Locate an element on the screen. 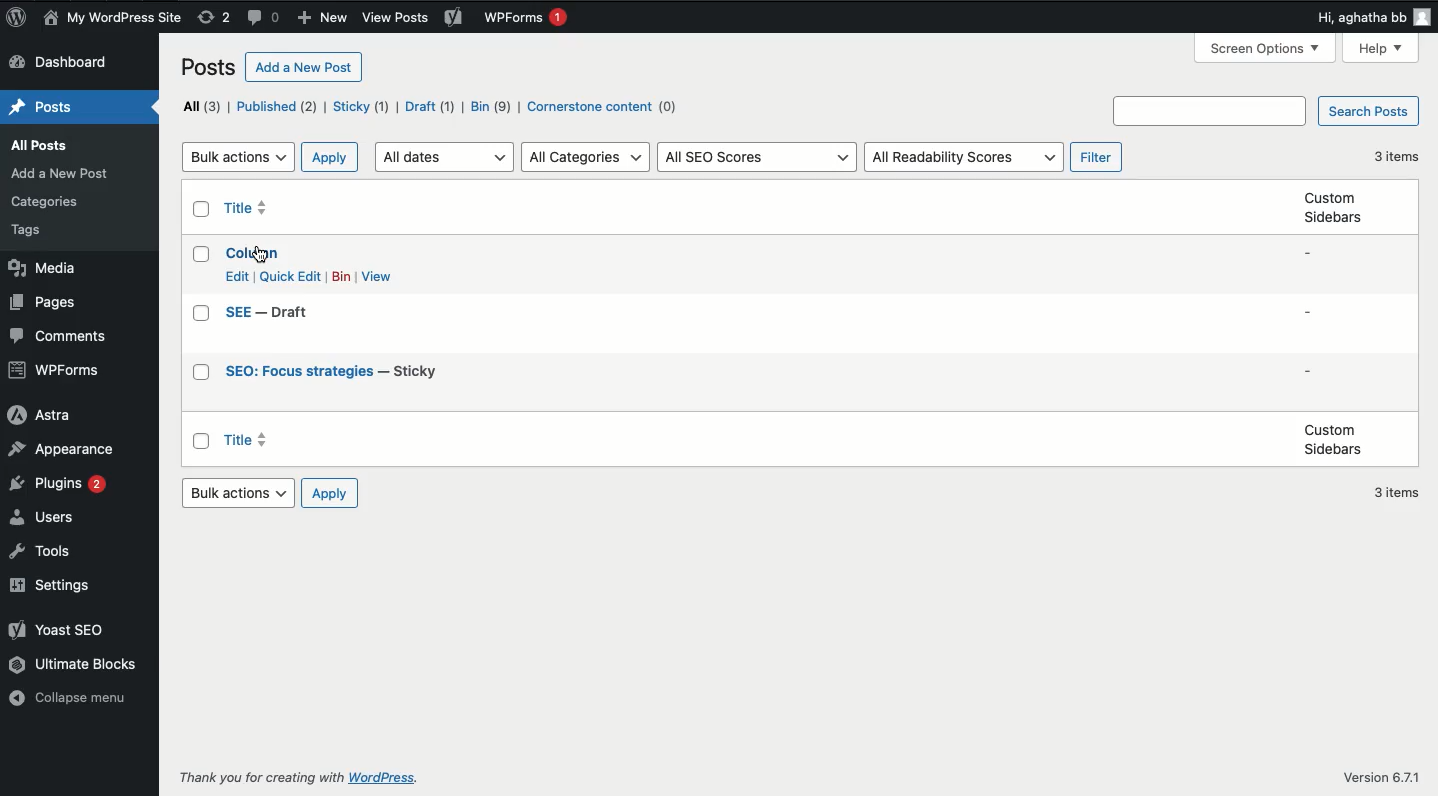 The image size is (1438, 796). Custom sidebars is located at coordinates (1332, 440).